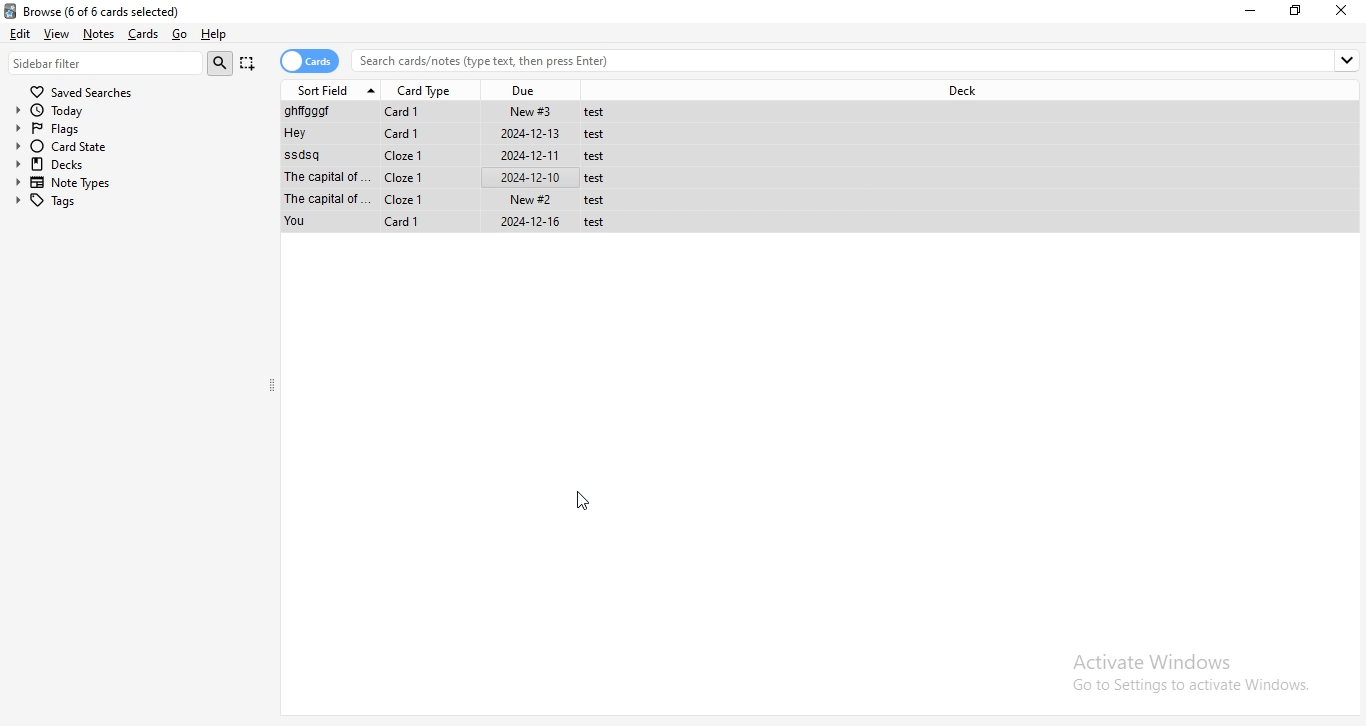 This screenshot has width=1366, height=726. Describe the element at coordinates (428, 89) in the screenshot. I see `card type` at that location.